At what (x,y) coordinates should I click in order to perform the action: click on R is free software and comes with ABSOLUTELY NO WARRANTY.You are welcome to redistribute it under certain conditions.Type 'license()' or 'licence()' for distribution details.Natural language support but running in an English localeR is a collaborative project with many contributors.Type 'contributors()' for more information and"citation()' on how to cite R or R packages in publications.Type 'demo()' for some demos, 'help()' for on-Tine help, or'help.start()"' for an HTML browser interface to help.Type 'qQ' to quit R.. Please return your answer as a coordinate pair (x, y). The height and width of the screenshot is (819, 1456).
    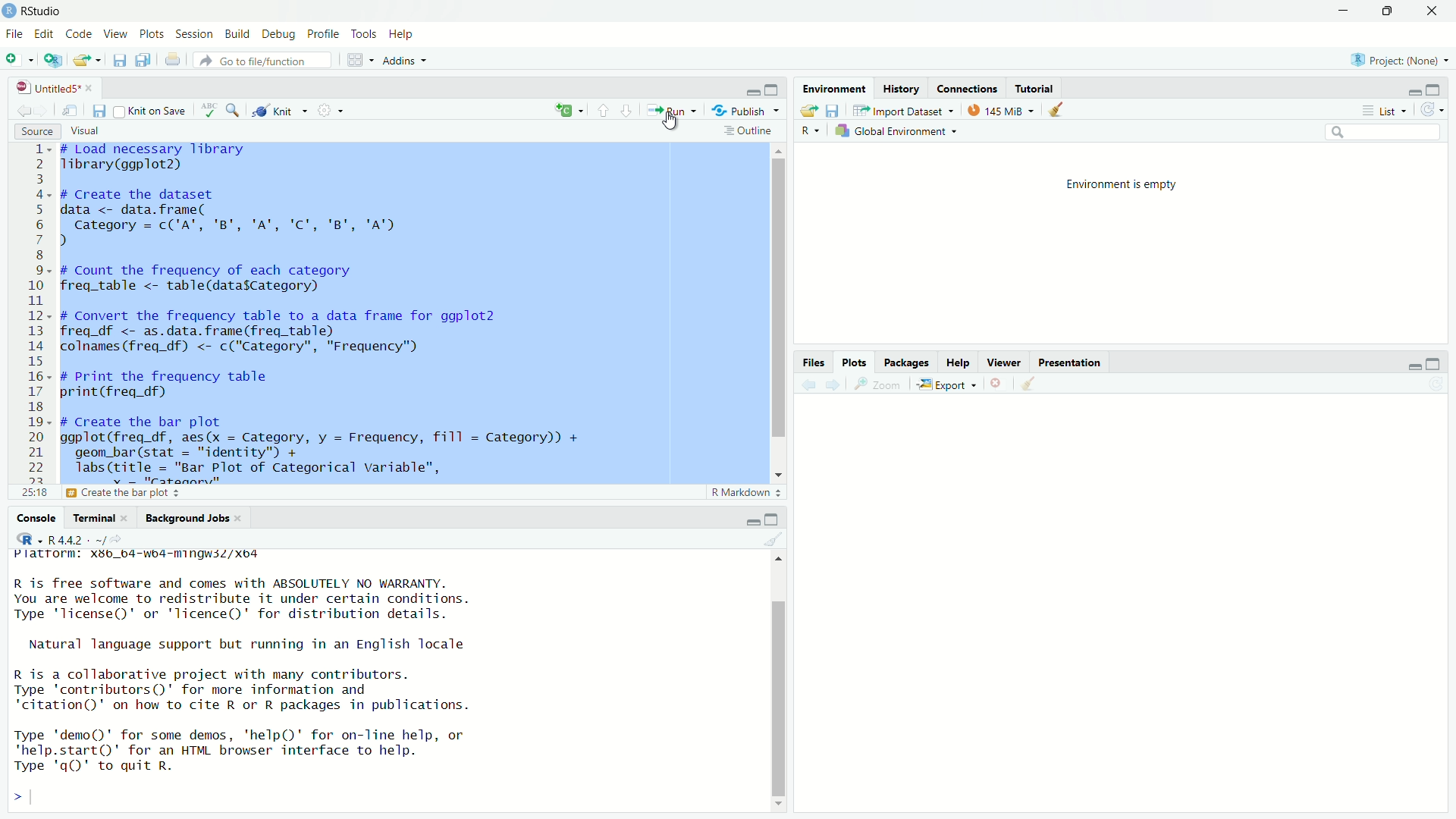
    Looking at the image, I should click on (266, 677).